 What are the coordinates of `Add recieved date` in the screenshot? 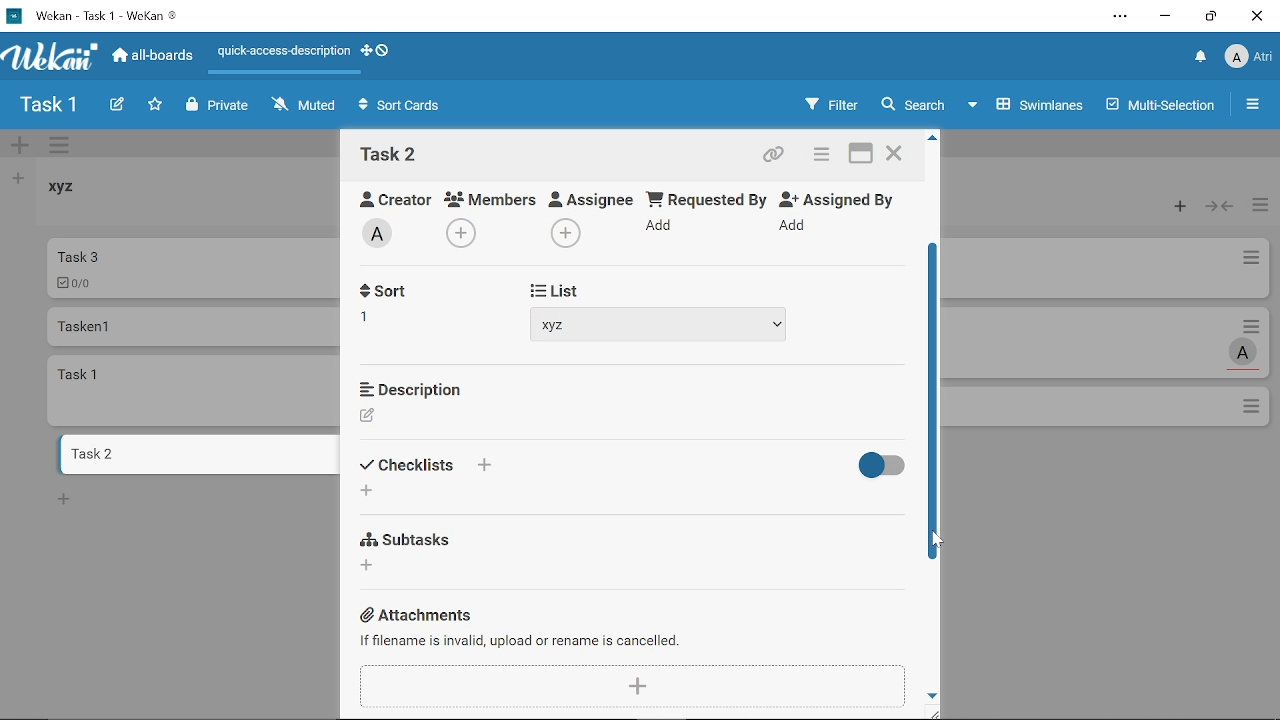 It's located at (376, 321).